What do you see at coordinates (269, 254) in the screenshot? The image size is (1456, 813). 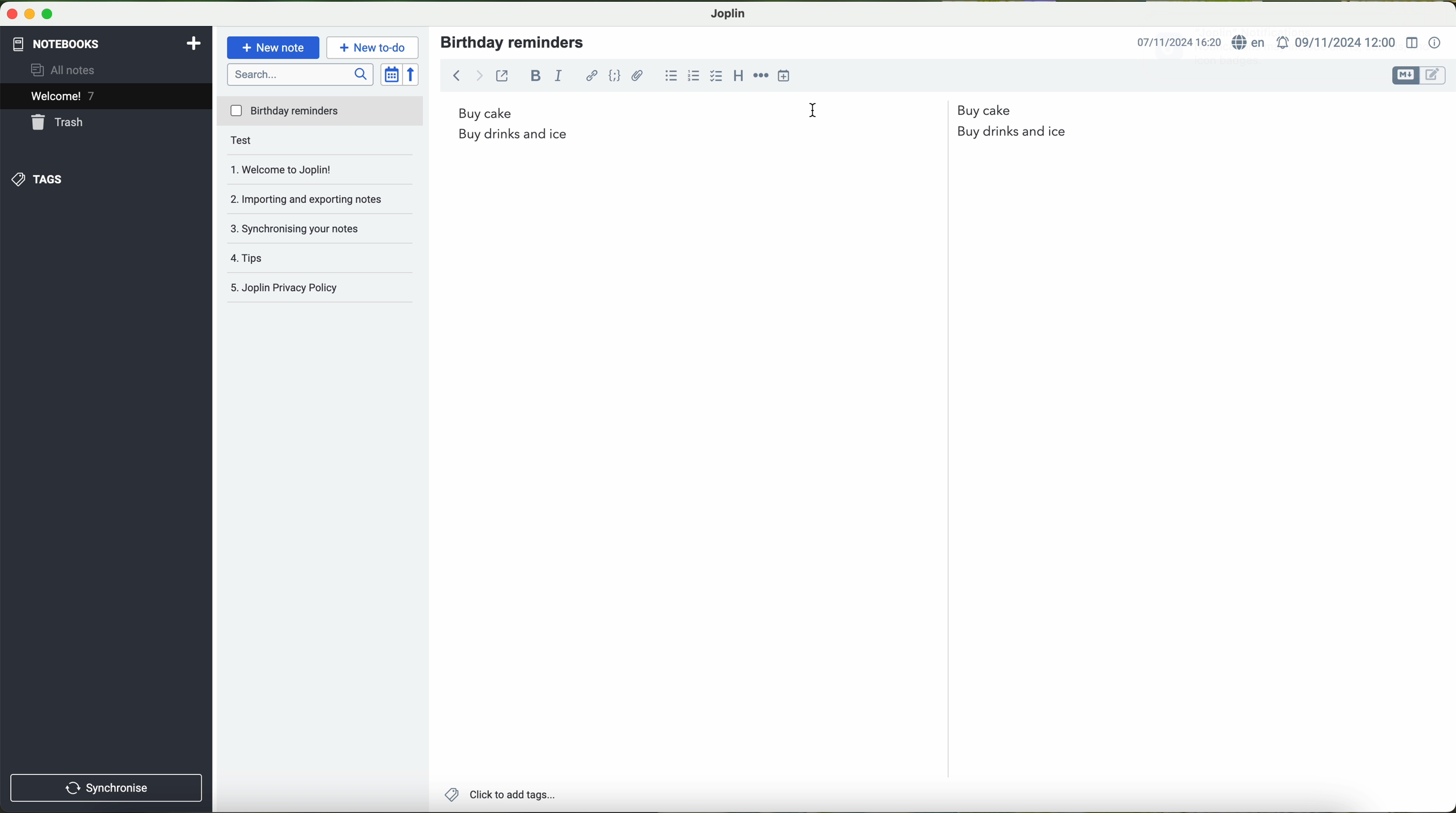 I see `tips` at bounding box center [269, 254].